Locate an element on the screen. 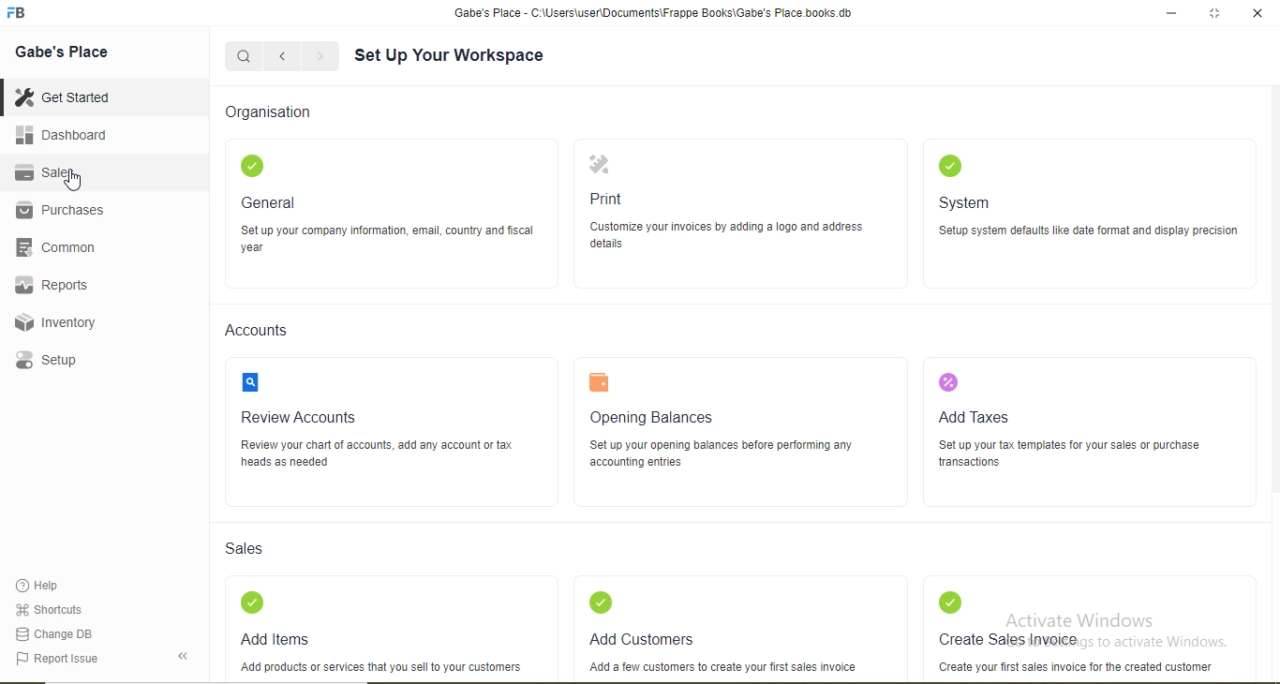 The width and height of the screenshot is (1280, 684). minimise is located at coordinates (1171, 12).